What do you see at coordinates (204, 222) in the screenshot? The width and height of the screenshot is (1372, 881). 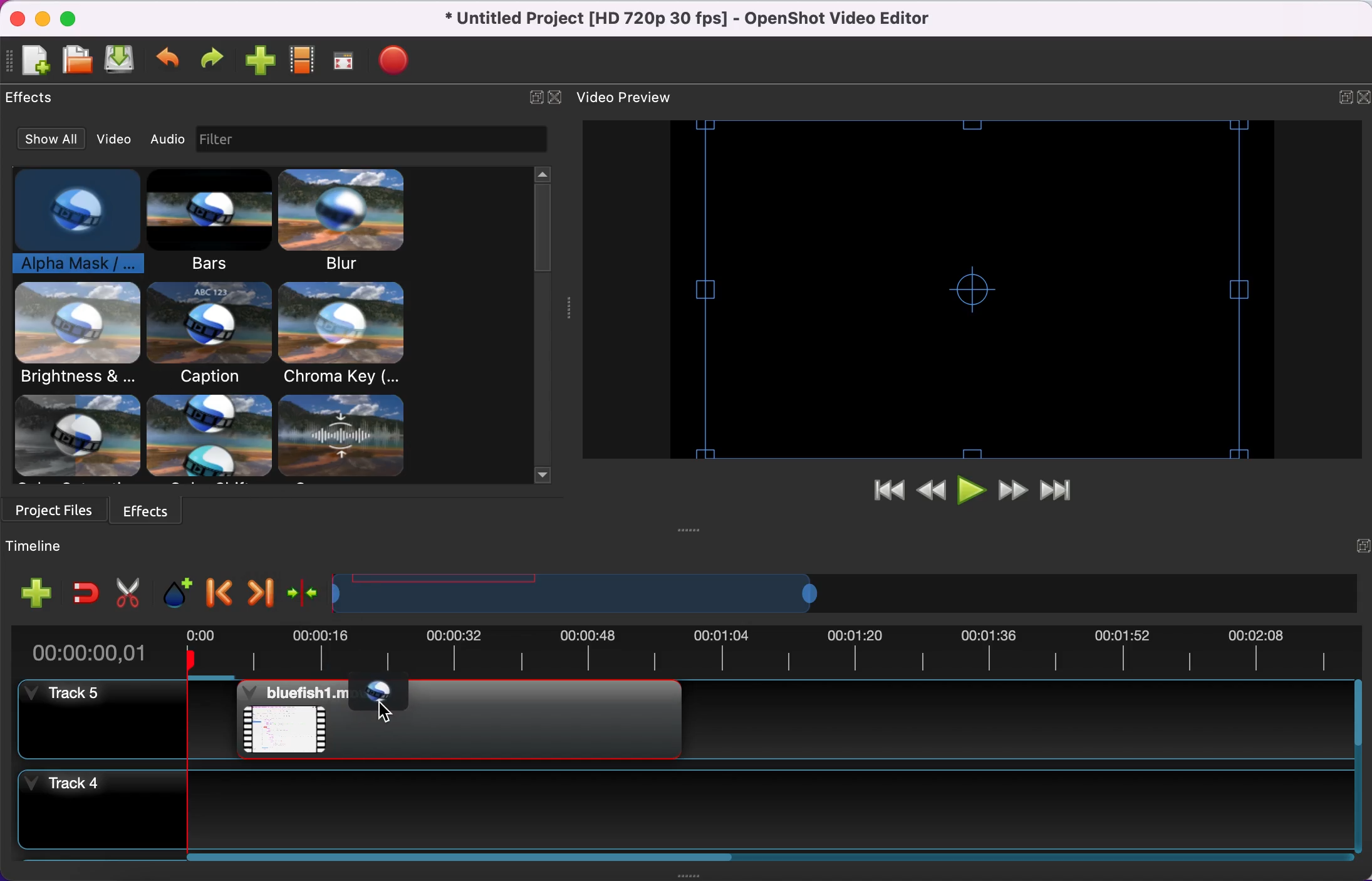 I see `bars` at bounding box center [204, 222].